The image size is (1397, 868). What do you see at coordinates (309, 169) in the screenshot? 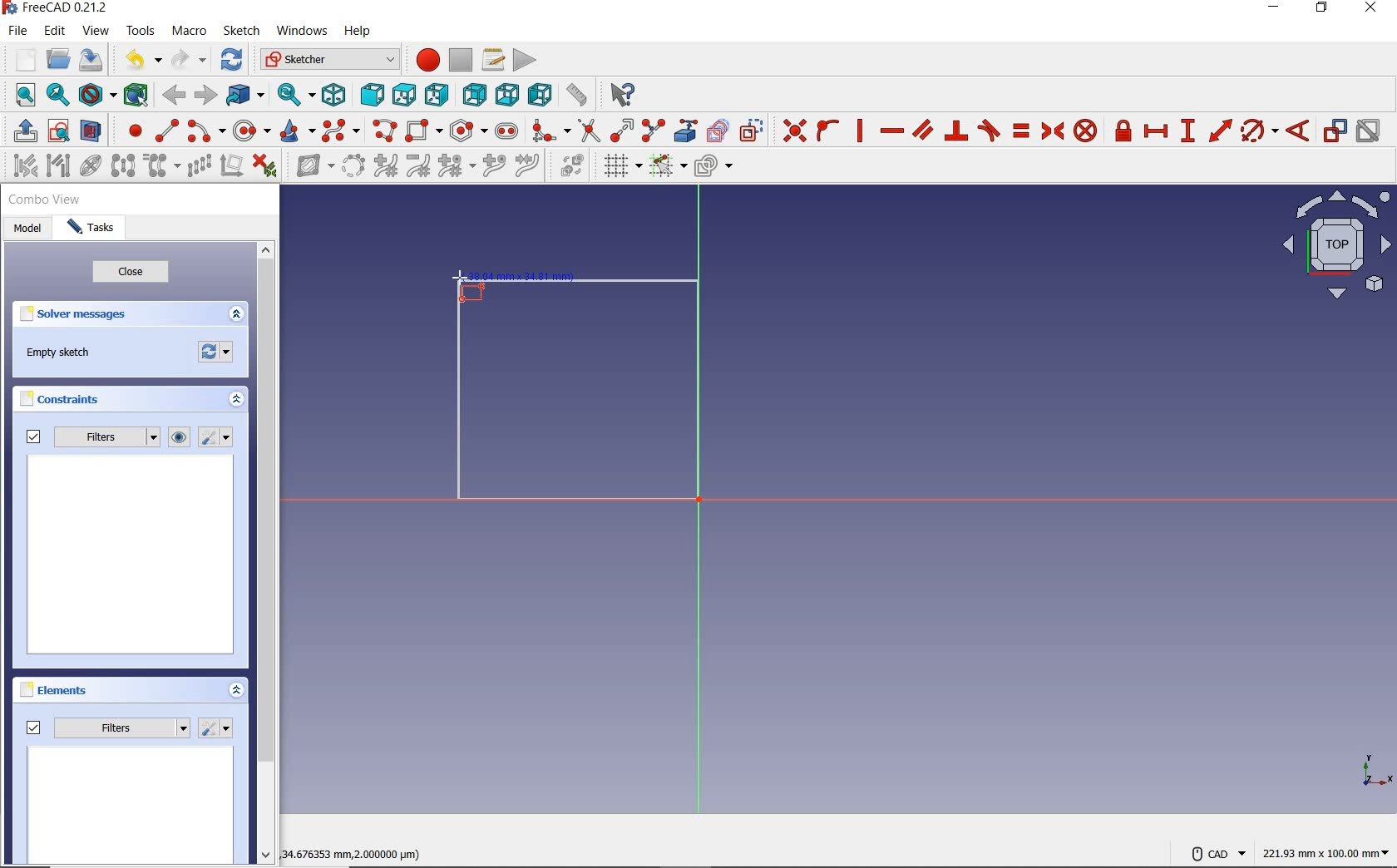
I see `show/hide b-splineinformation layer` at bounding box center [309, 169].